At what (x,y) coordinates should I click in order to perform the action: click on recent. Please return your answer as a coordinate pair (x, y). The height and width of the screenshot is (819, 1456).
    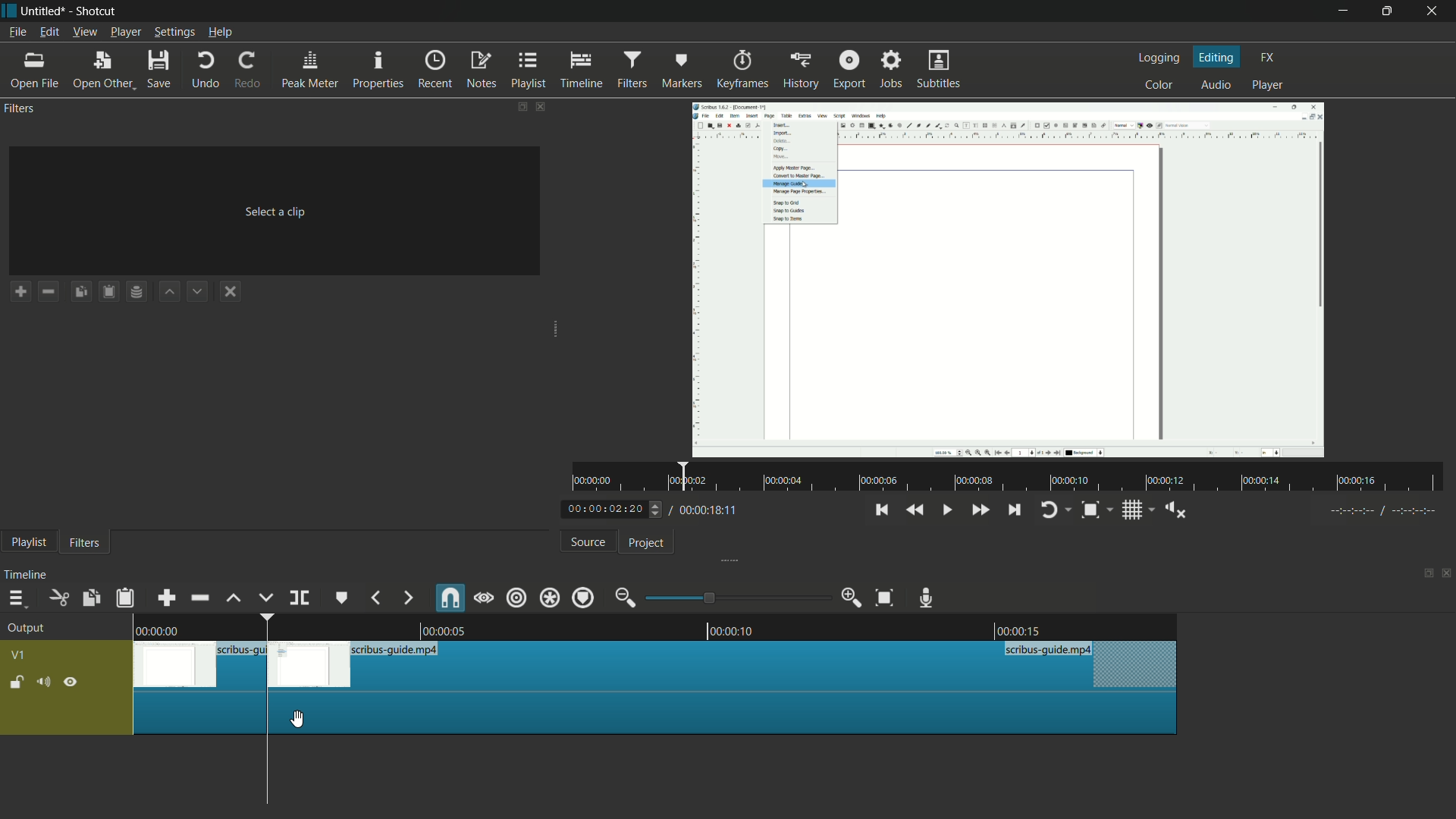
    Looking at the image, I should click on (436, 70).